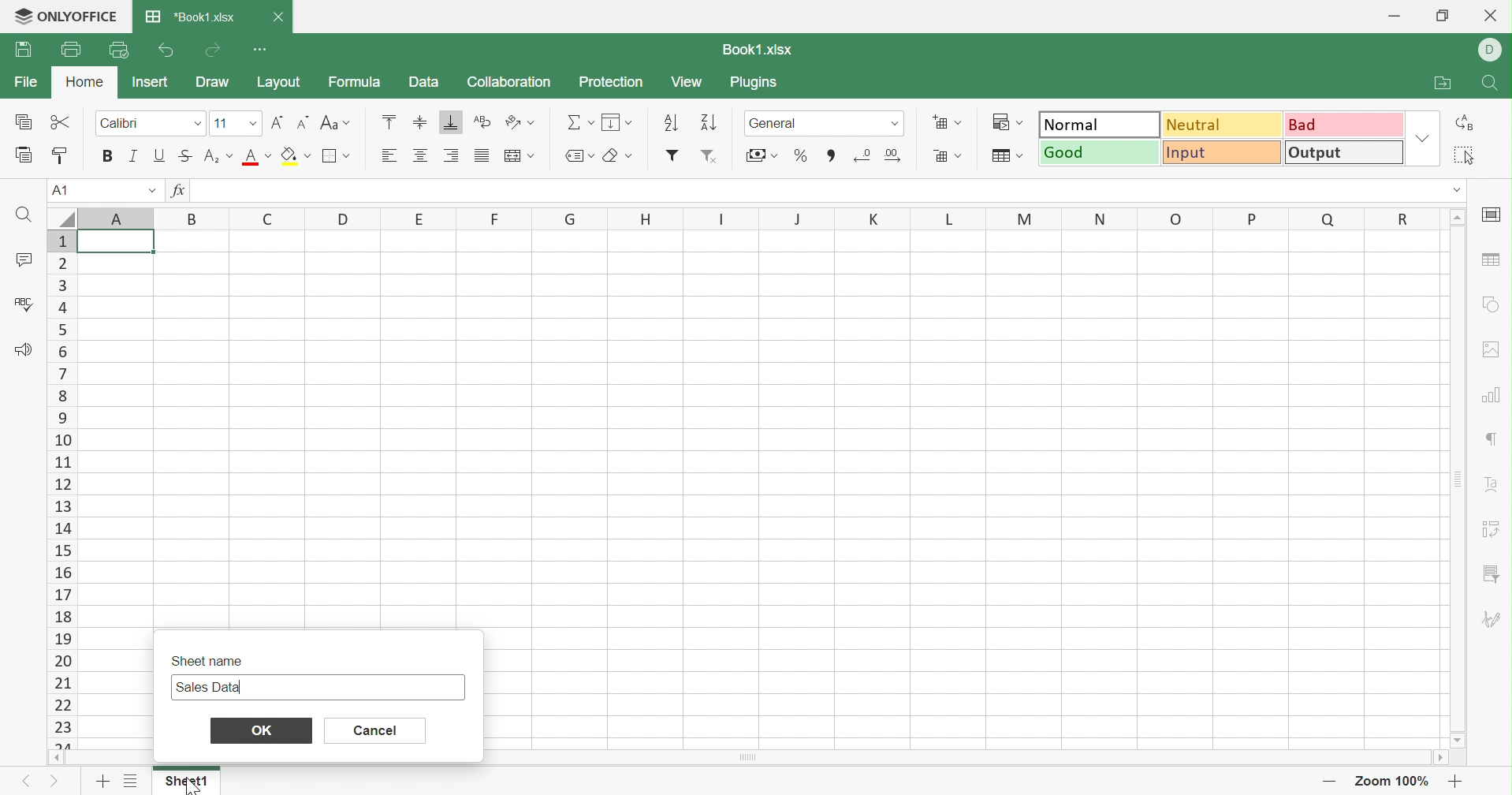 The image size is (1512, 795). I want to click on Calibri, so click(132, 121).